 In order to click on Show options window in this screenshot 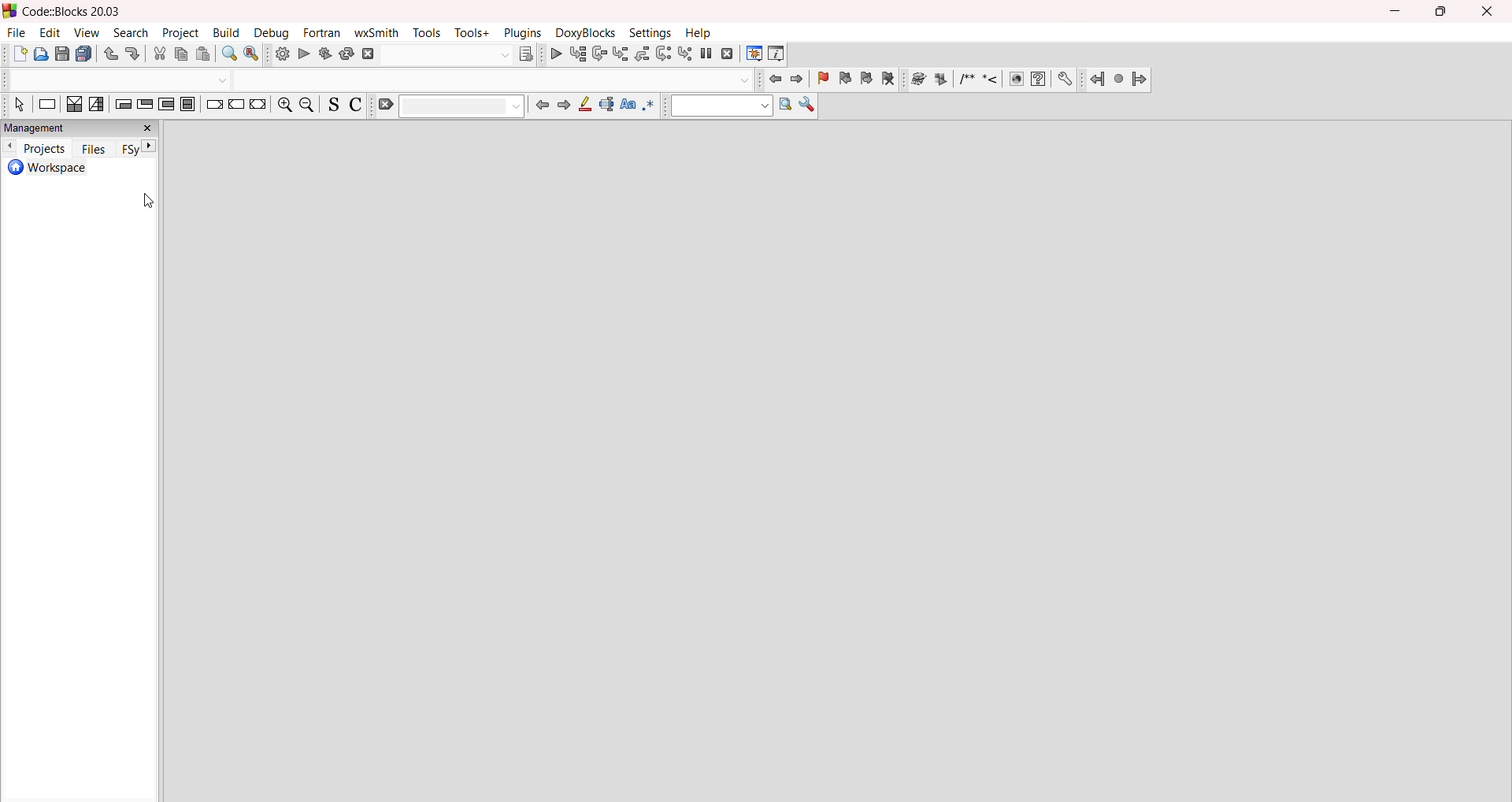, I will do `click(807, 108)`.